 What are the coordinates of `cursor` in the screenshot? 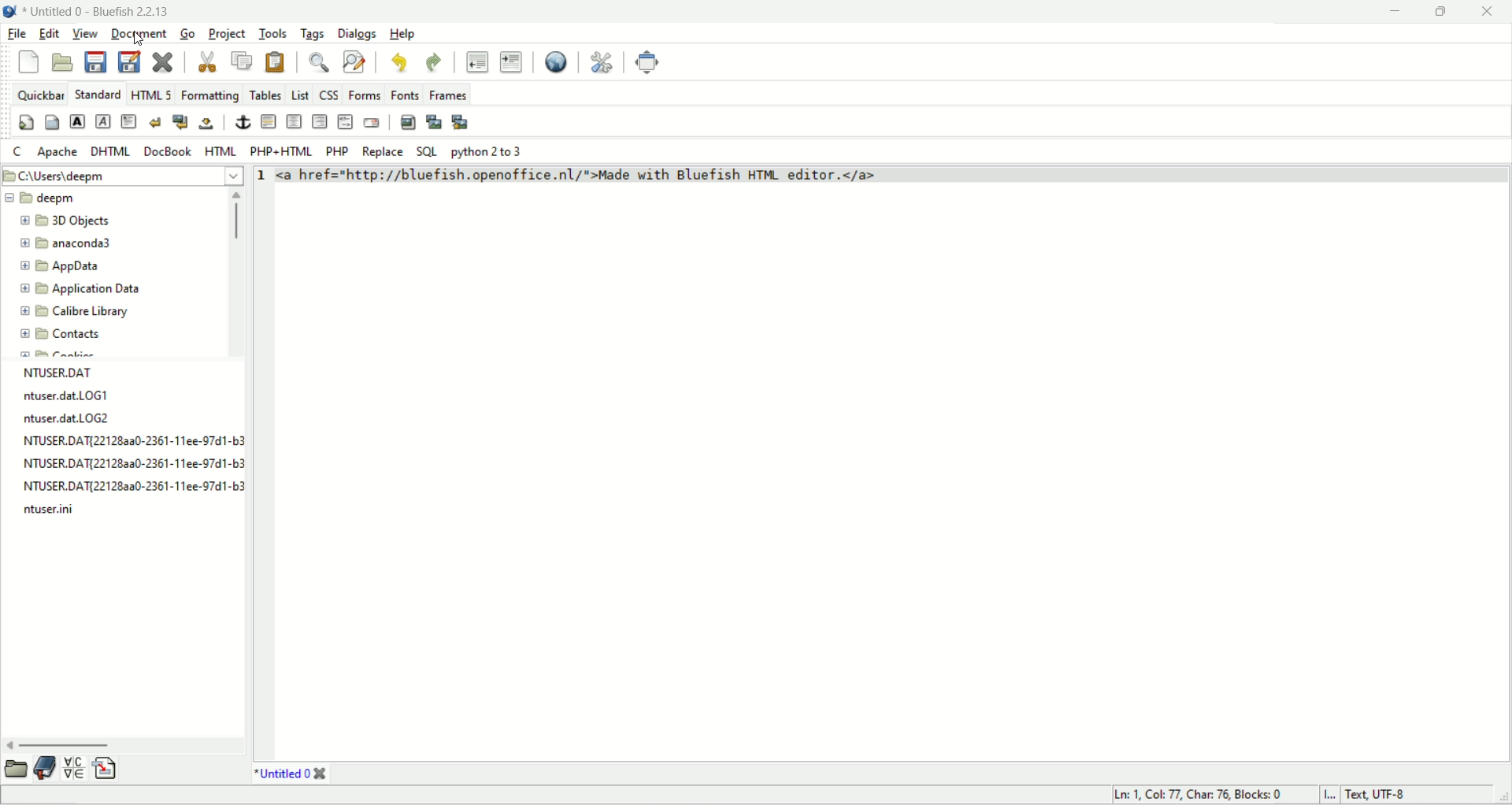 It's located at (139, 40).